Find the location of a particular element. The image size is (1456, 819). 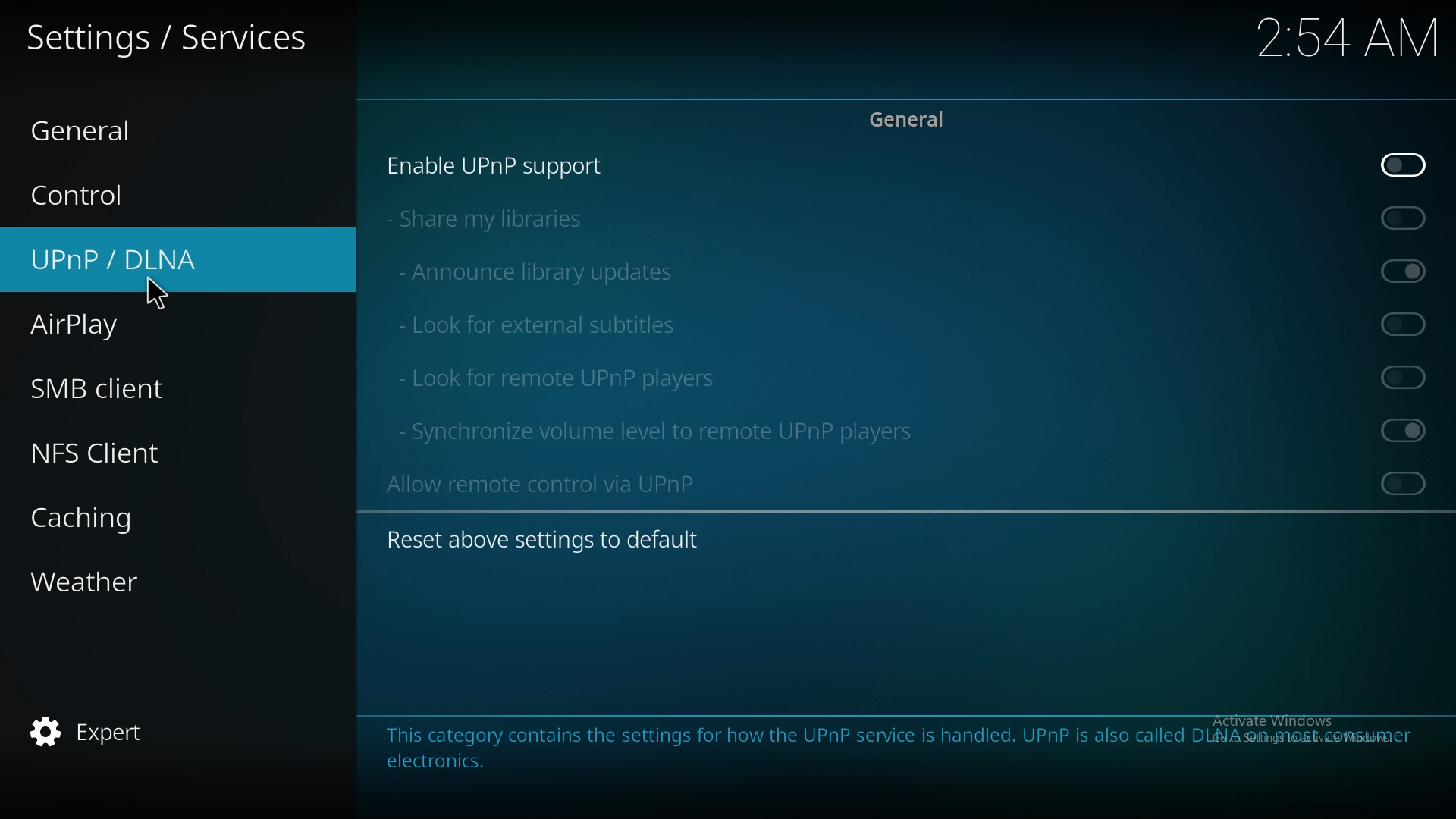

smb client is located at coordinates (121, 389).